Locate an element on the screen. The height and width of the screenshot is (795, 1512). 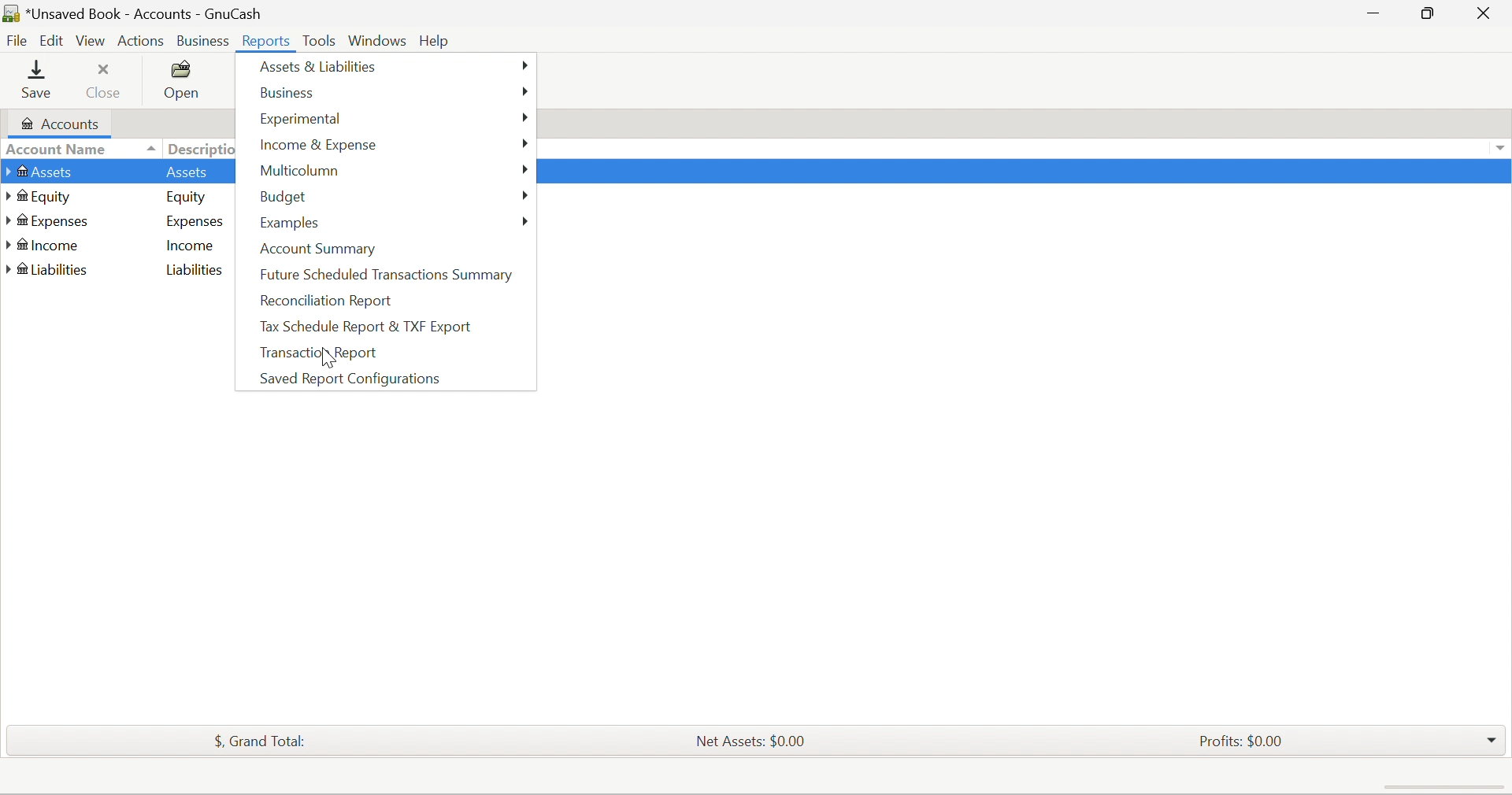
More is located at coordinates (527, 168).